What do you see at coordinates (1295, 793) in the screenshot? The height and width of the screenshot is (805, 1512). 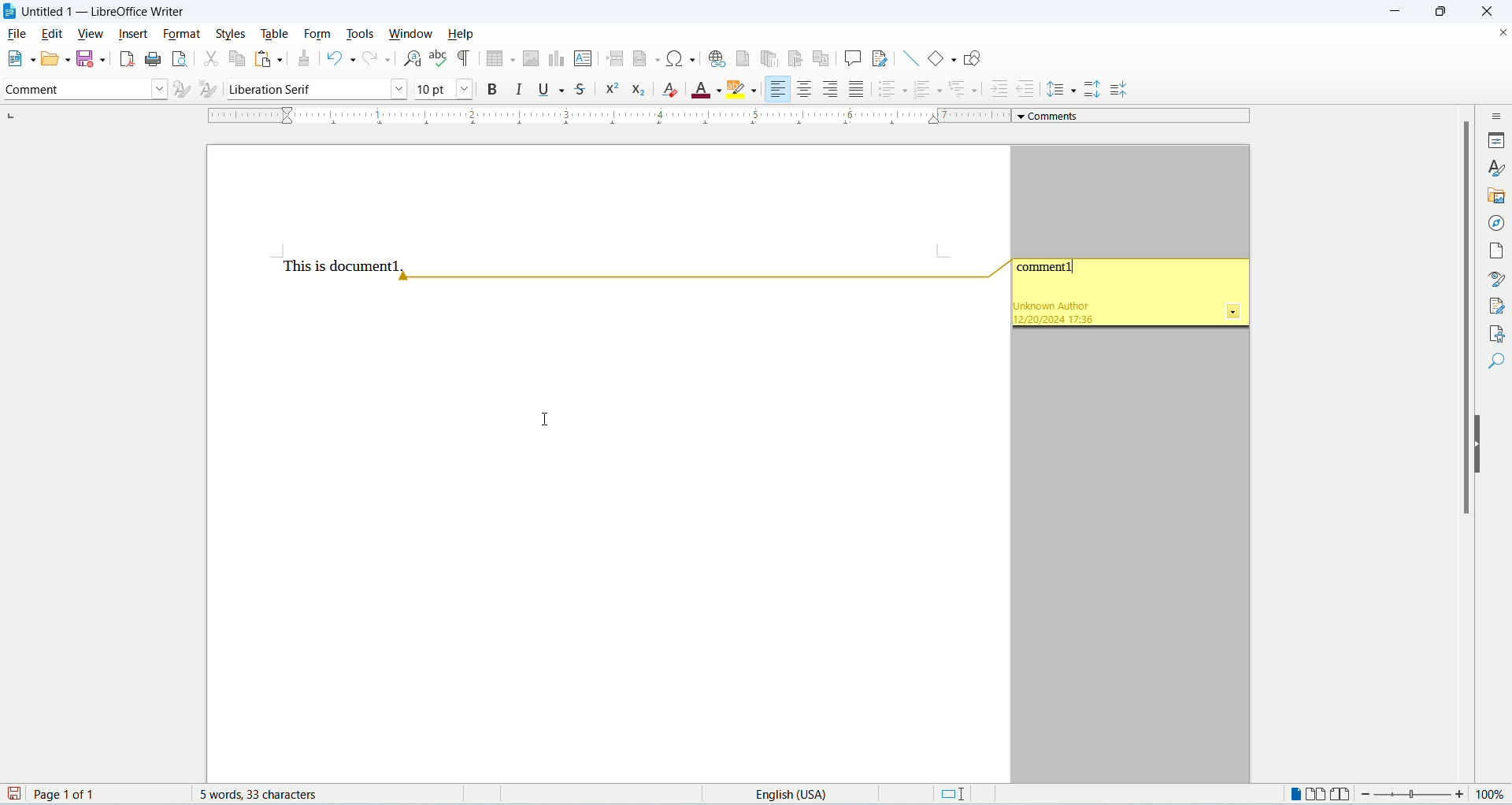 I see `single page view` at bounding box center [1295, 793].